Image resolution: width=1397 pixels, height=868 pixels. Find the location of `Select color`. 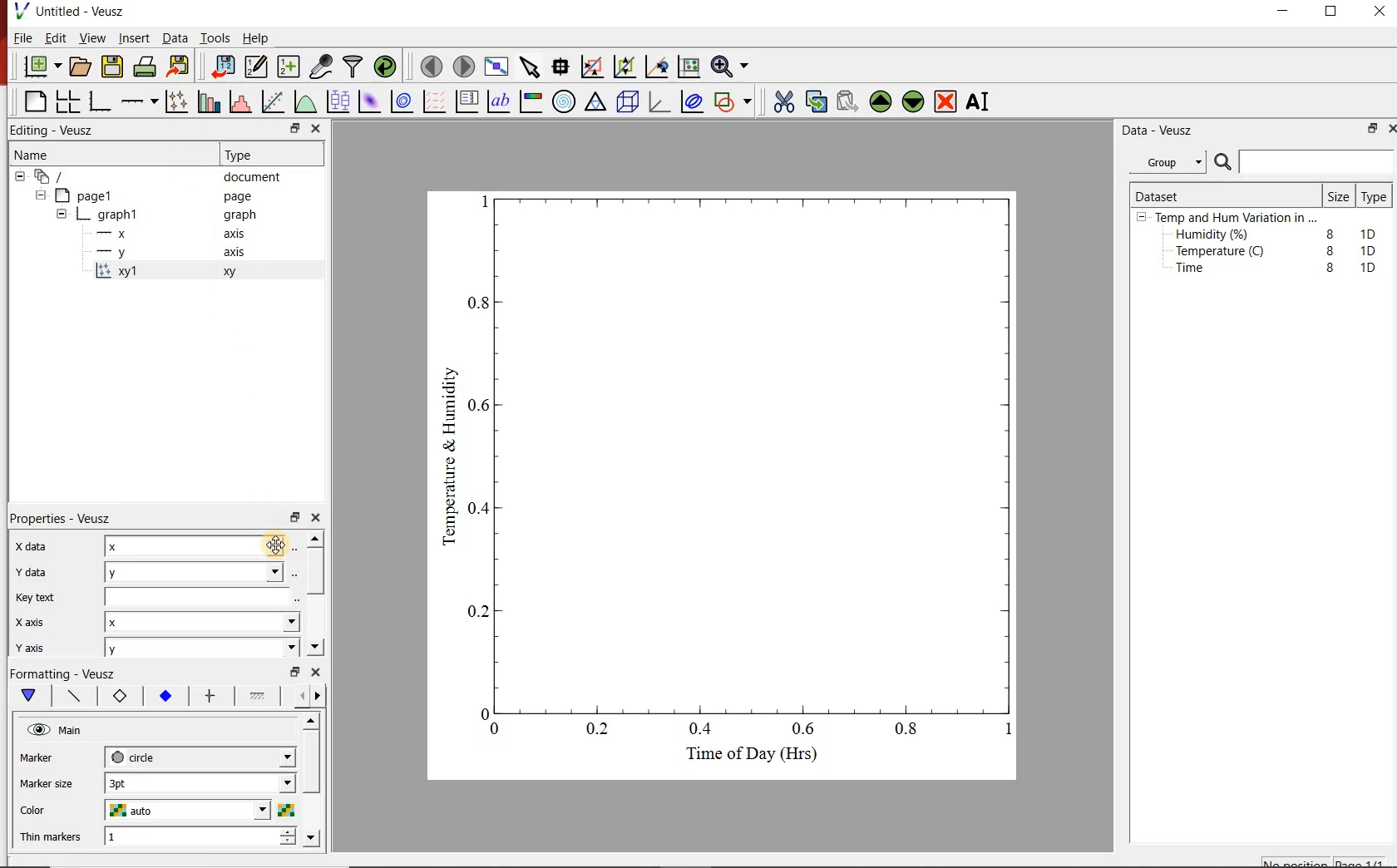

Select color is located at coordinates (287, 811).